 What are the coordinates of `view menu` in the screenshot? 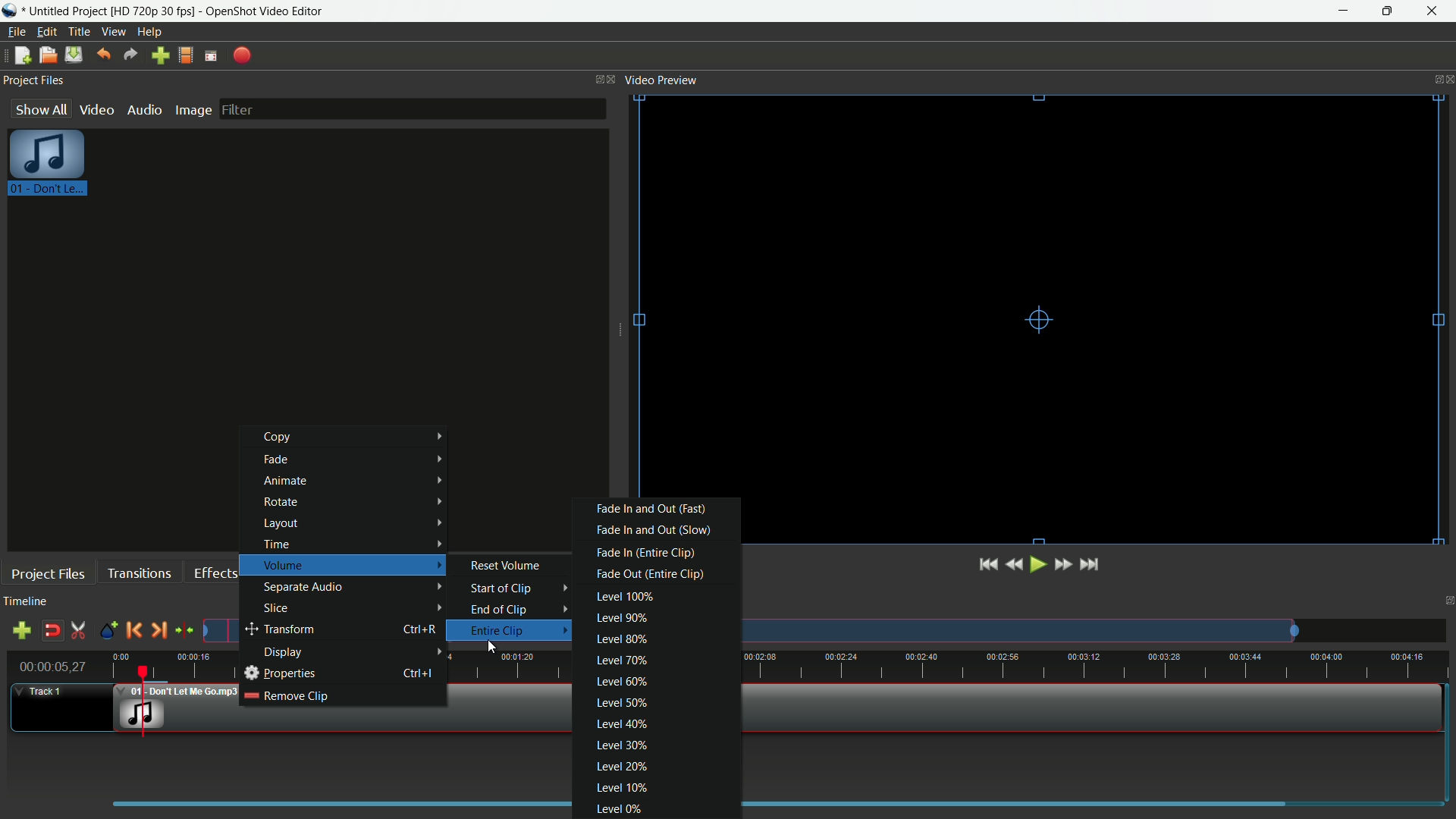 It's located at (115, 33).